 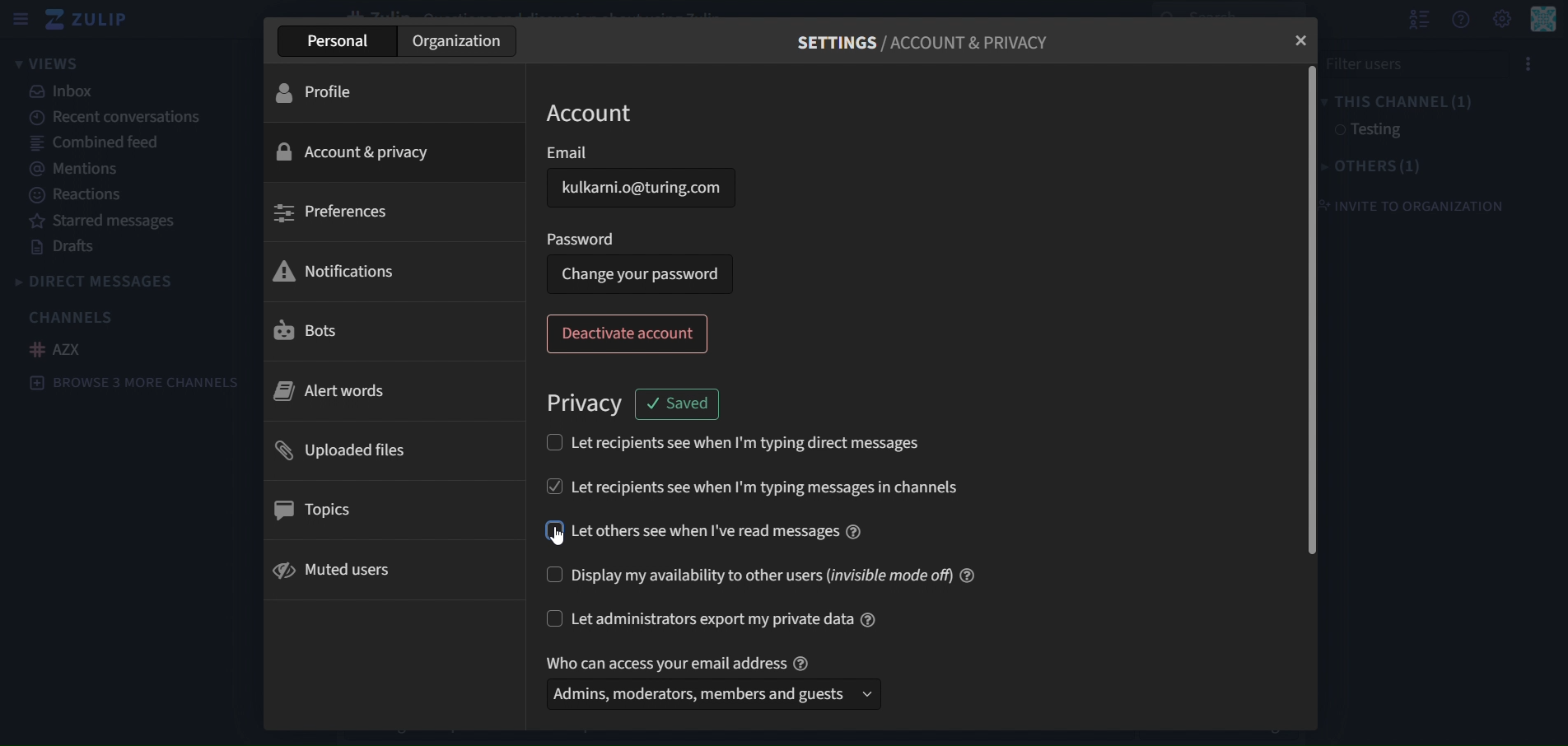 What do you see at coordinates (88, 19) in the screenshot?
I see `zulip` at bounding box center [88, 19].